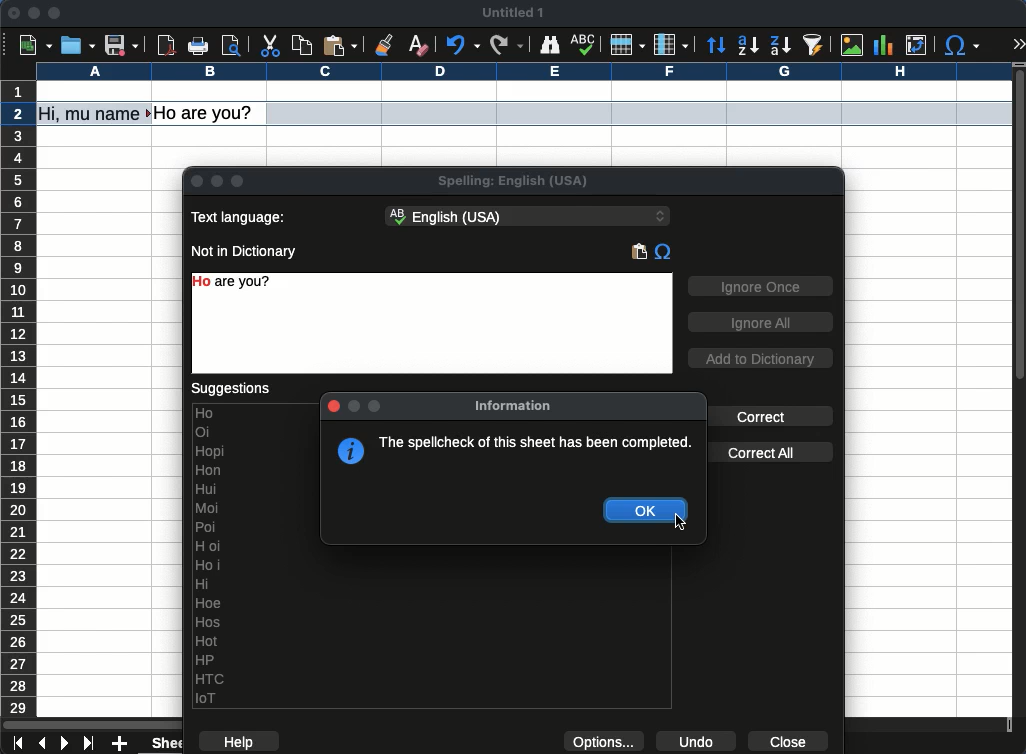 This screenshot has height=754, width=1026. What do you see at coordinates (161, 744) in the screenshot?
I see `sheet 1` at bounding box center [161, 744].